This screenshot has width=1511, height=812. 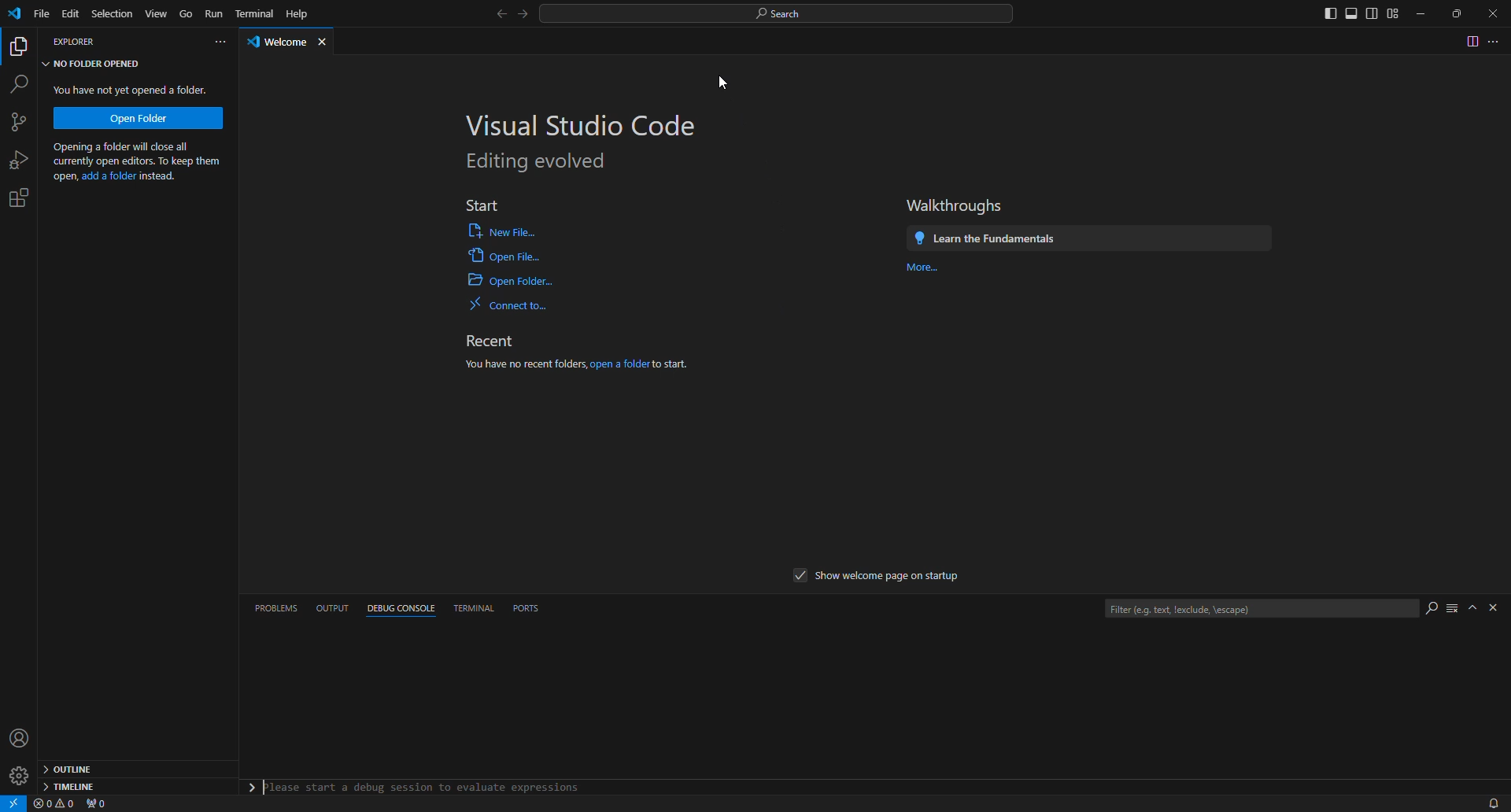 What do you see at coordinates (709, 83) in the screenshot?
I see `cursor` at bounding box center [709, 83].